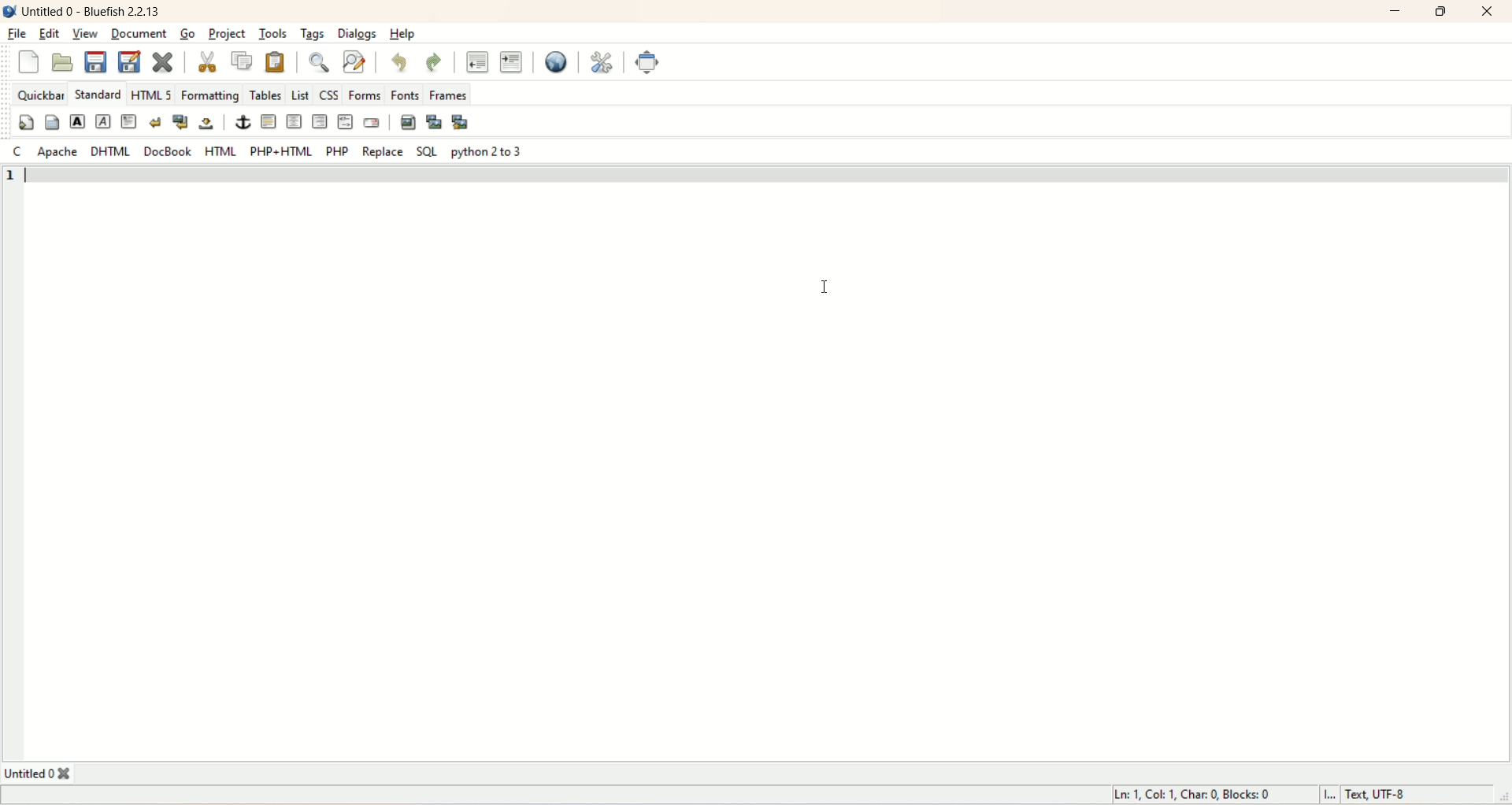 Image resolution: width=1512 pixels, height=805 pixels. I want to click on formatting, so click(210, 96).